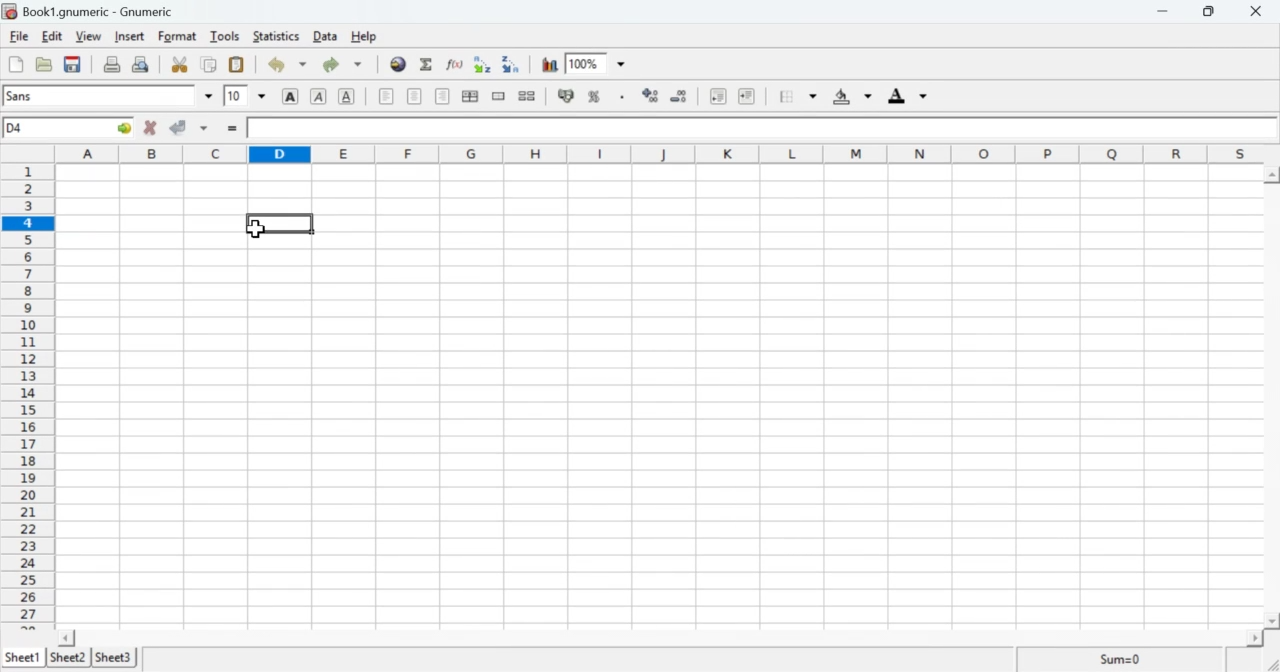 The image size is (1280, 672). Describe the element at coordinates (231, 130) in the screenshot. I see `=` at that location.